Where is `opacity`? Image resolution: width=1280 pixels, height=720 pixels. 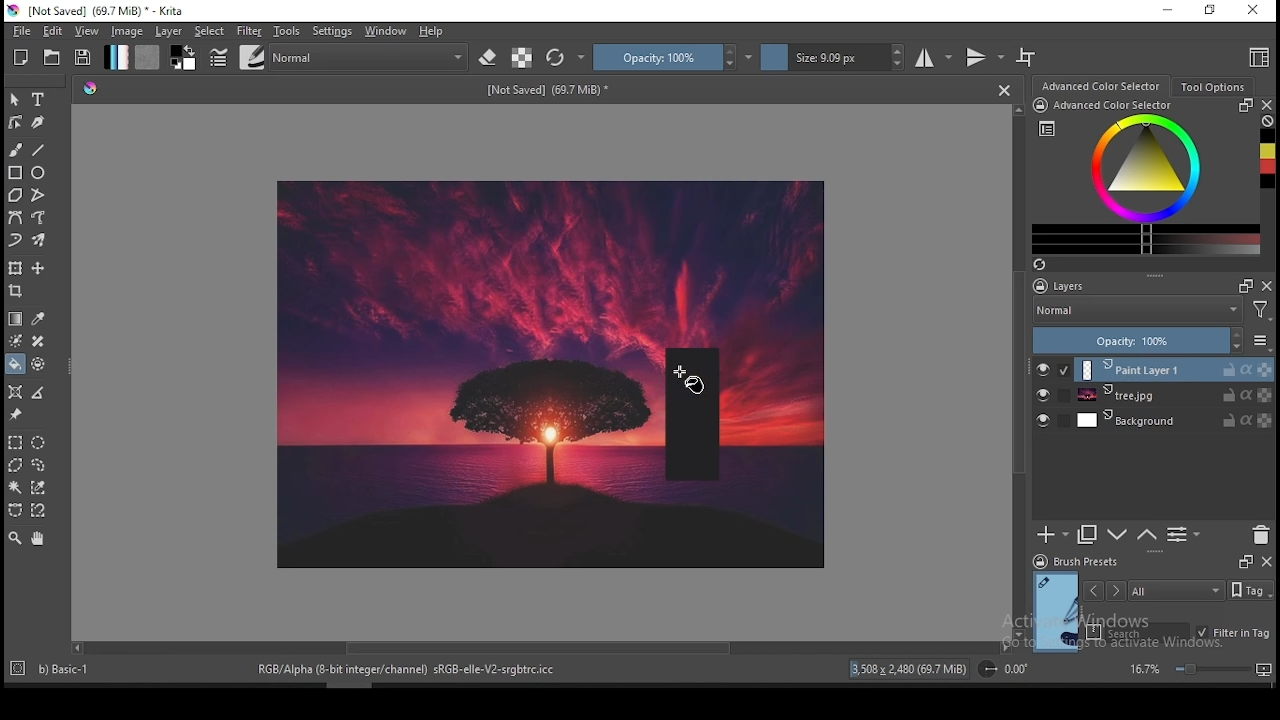 opacity is located at coordinates (1152, 340).